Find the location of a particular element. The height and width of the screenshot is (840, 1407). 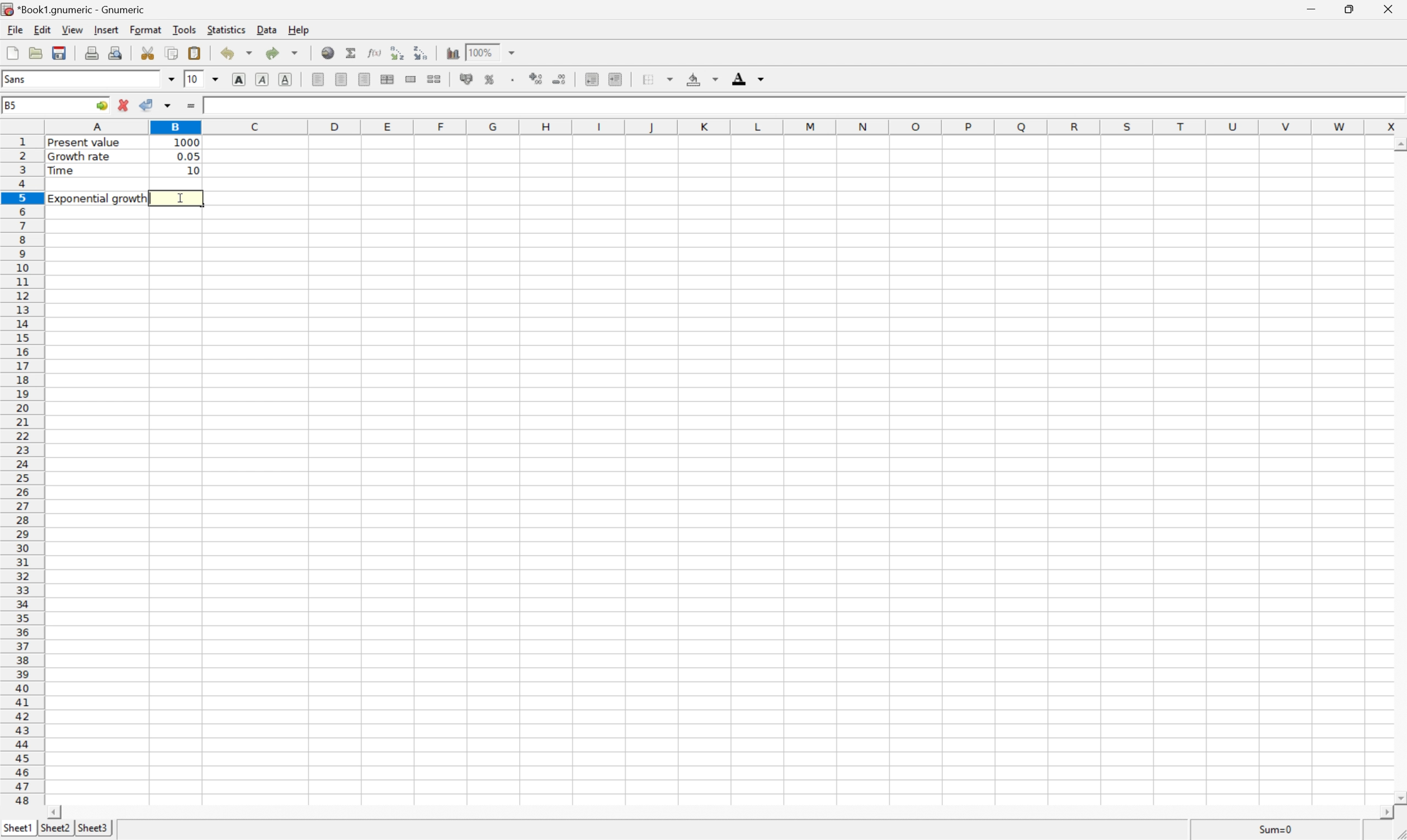

Increase the number of decimals displayed is located at coordinates (537, 79).